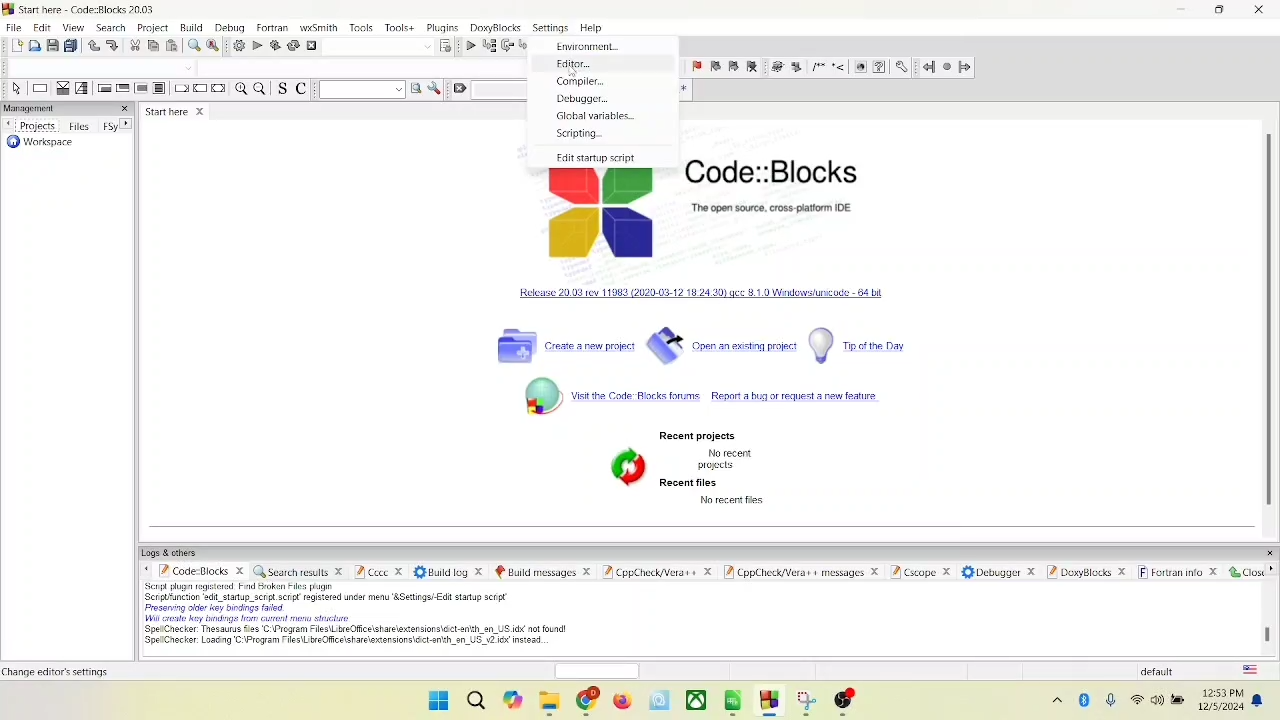 The image size is (1280, 720). Describe the element at coordinates (141, 88) in the screenshot. I see `counting loop` at that location.